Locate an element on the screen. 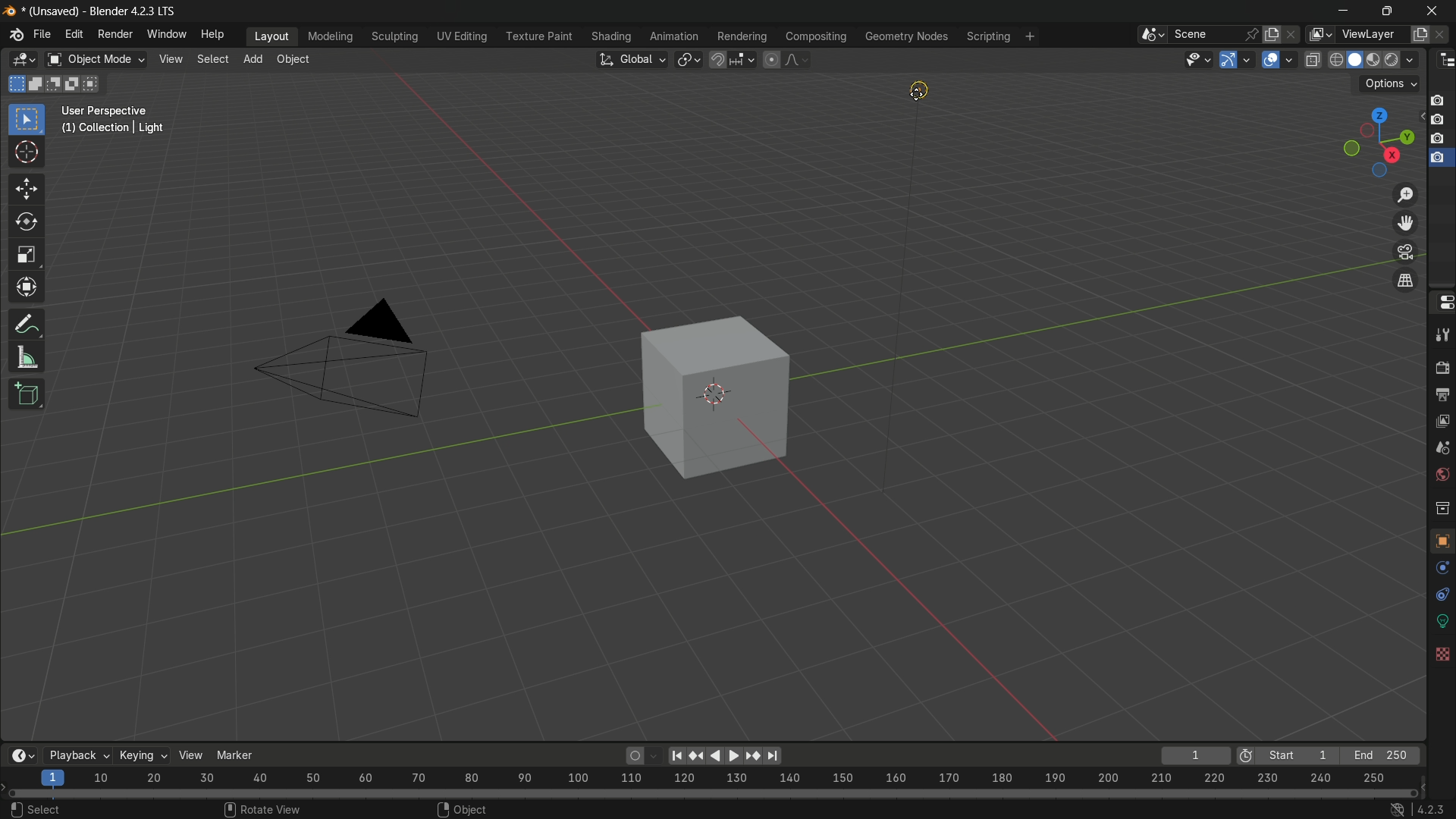 The height and width of the screenshot is (819, 1456). add new scene is located at coordinates (1273, 34).